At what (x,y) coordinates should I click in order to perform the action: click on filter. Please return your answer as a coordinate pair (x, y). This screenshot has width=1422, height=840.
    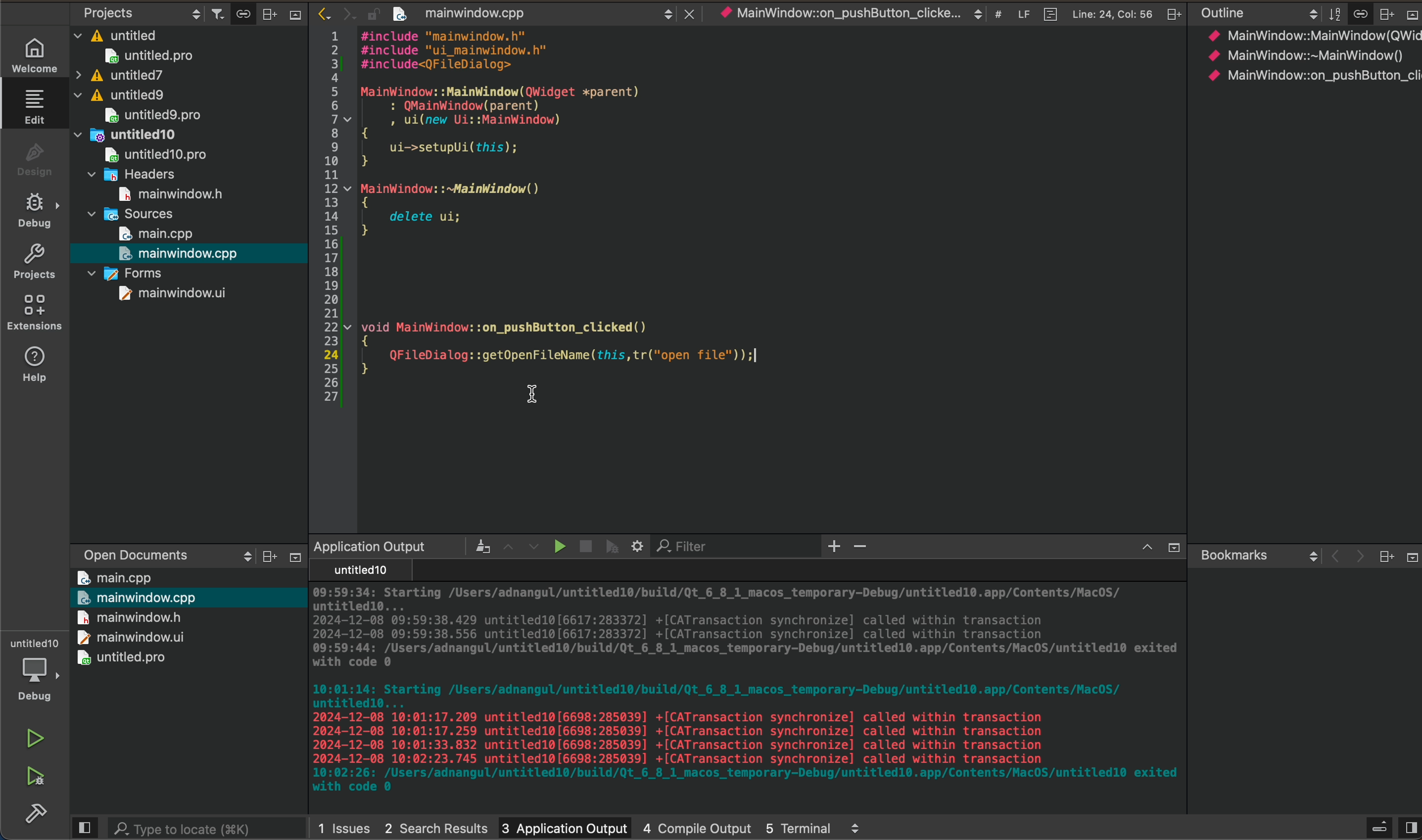
    Looking at the image, I should click on (690, 547).